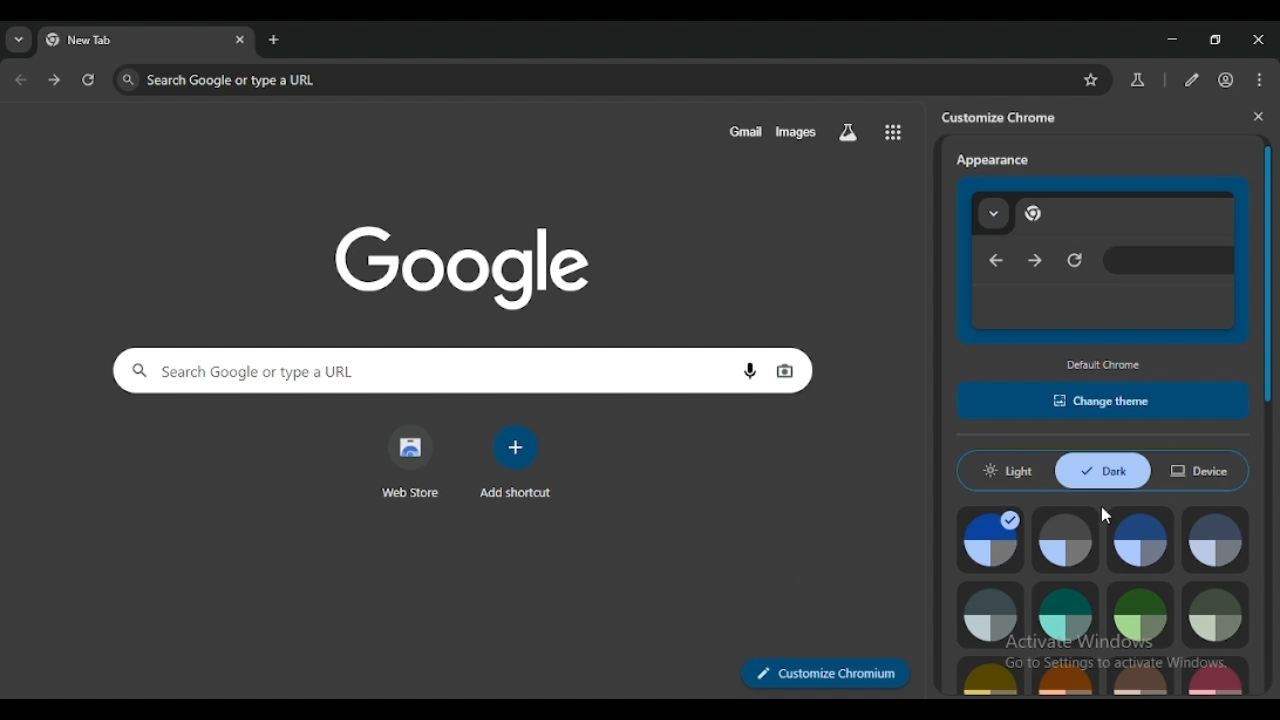 The width and height of the screenshot is (1280, 720). Describe the element at coordinates (410, 370) in the screenshot. I see `search google or type a URL` at that location.